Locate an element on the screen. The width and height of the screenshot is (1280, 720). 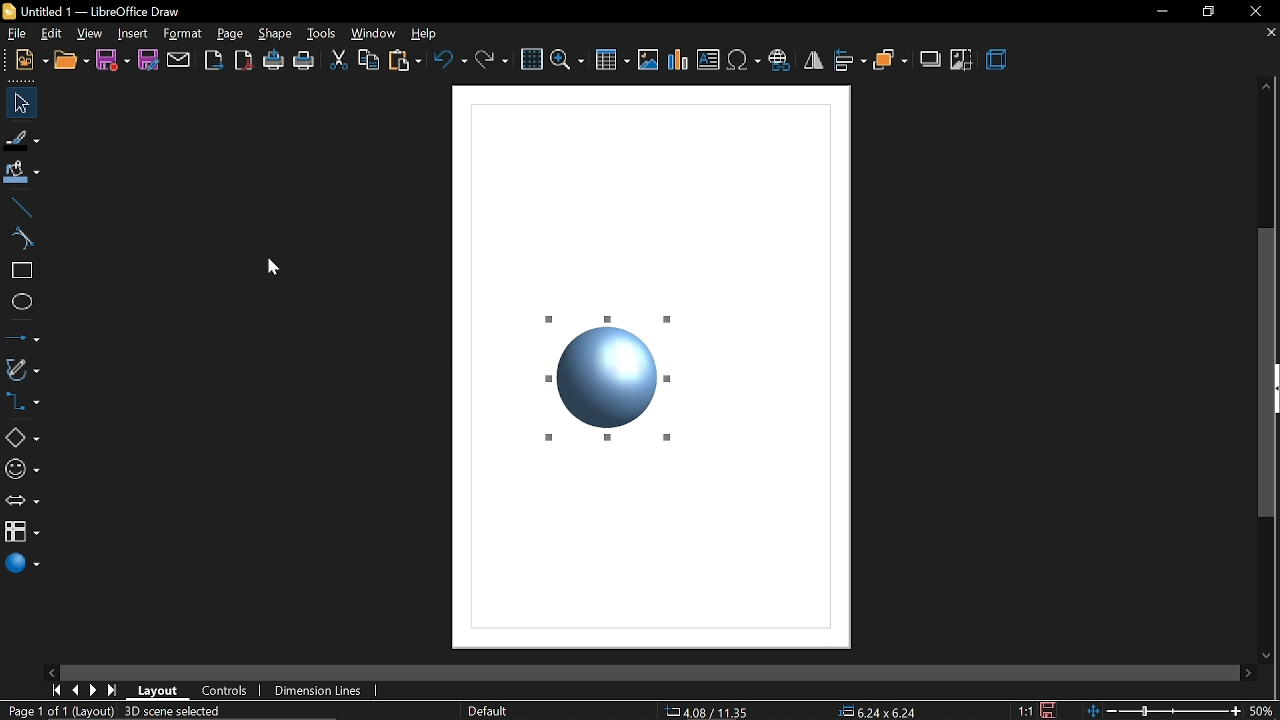
restore down is located at coordinates (1206, 11).